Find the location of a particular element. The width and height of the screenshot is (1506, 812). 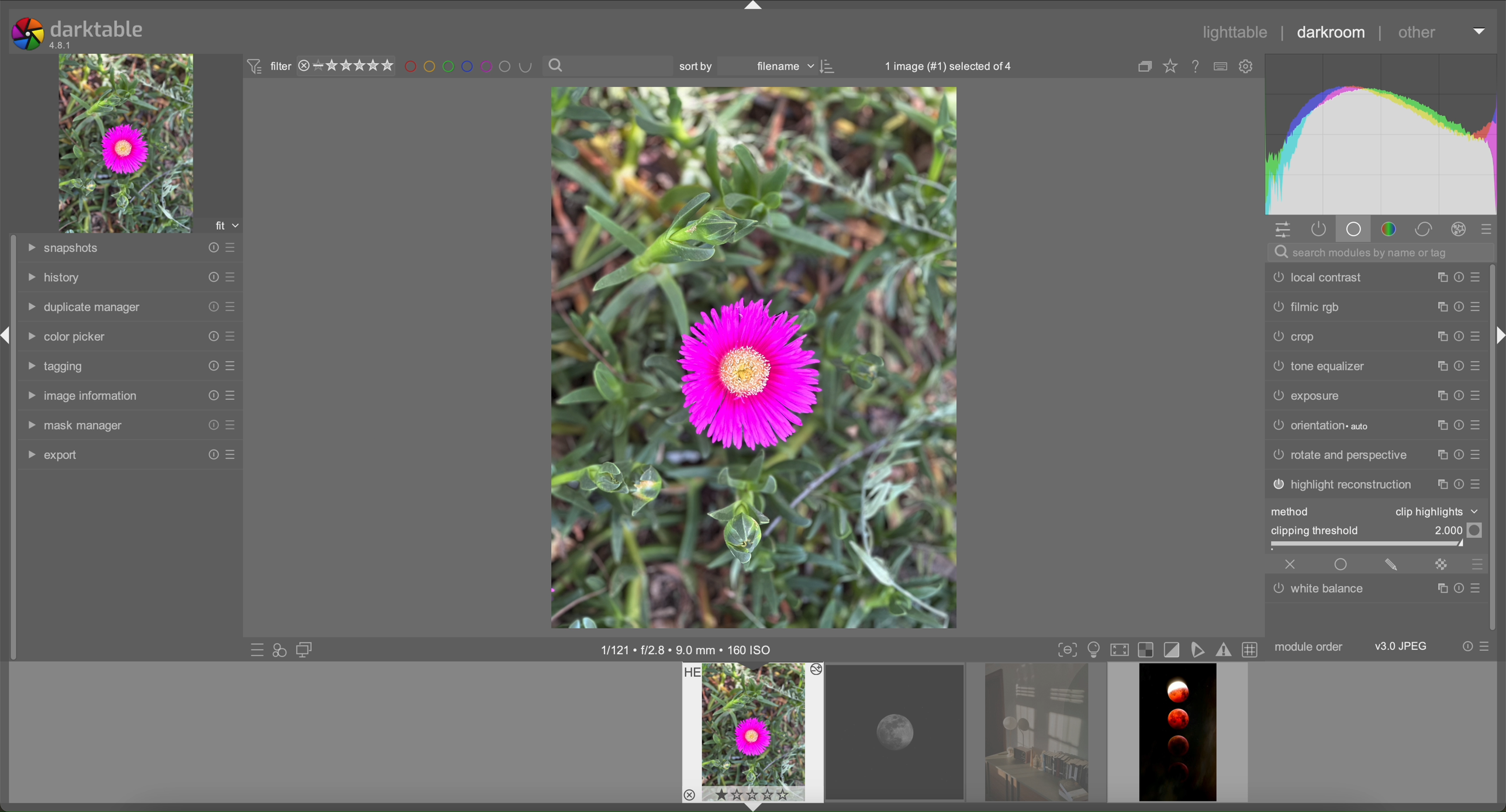

copy is located at coordinates (1441, 485).